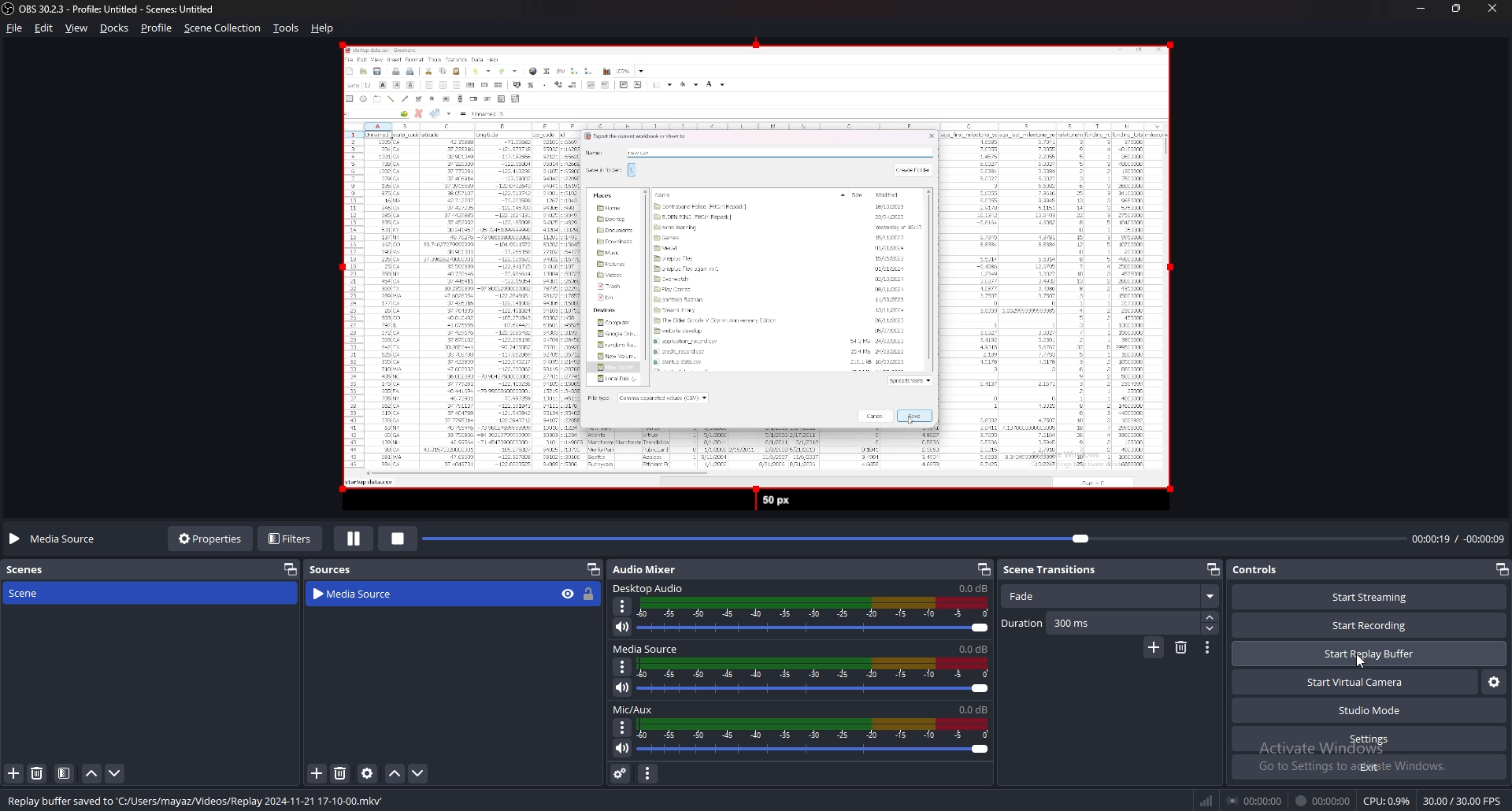 This screenshot has width=1512, height=811. I want to click on add scene, so click(14, 774).